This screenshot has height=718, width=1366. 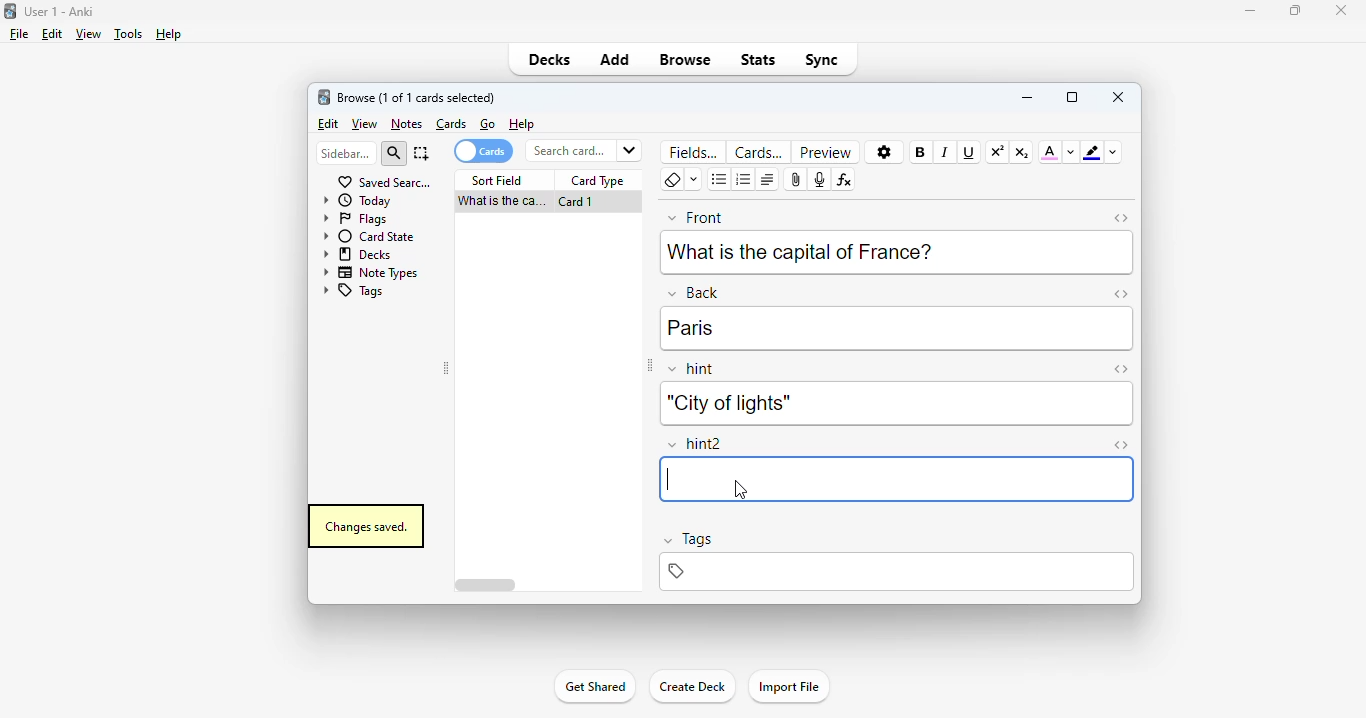 What do you see at coordinates (1295, 9) in the screenshot?
I see `maximize` at bounding box center [1295, 9].